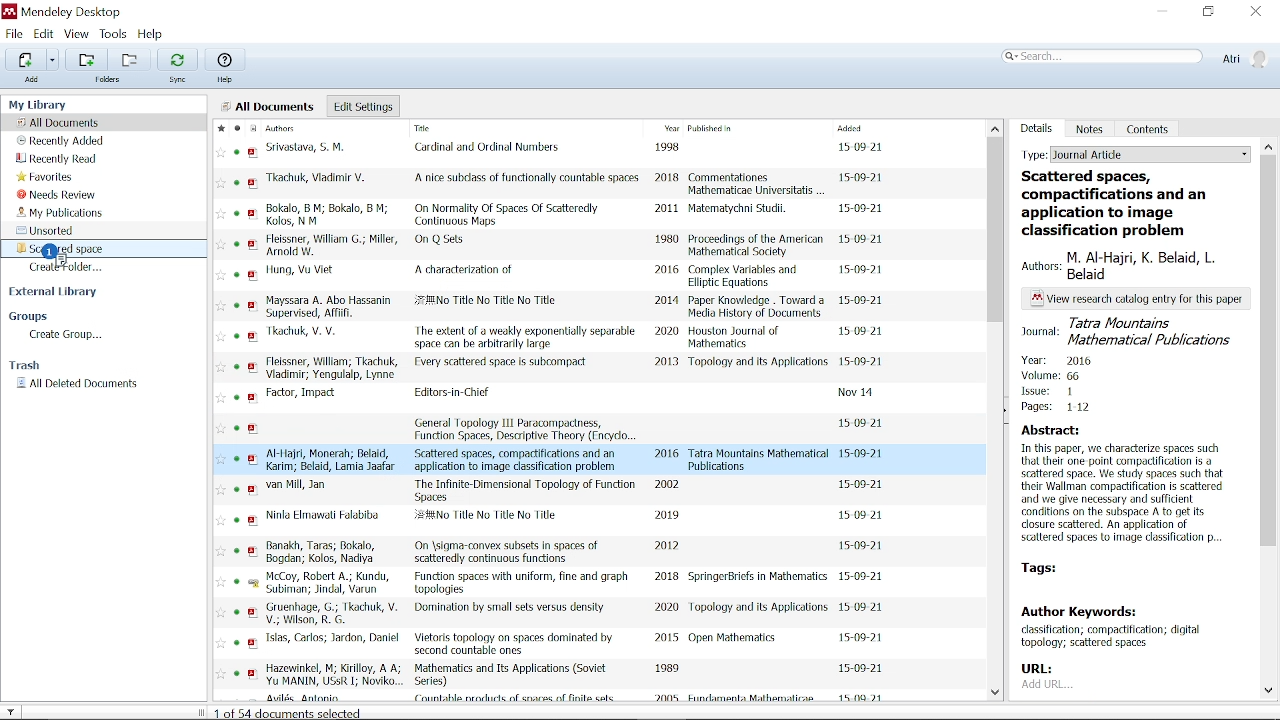  Describe the element at coordinates (528, 178) in the screenshot. I see `title` at that location.